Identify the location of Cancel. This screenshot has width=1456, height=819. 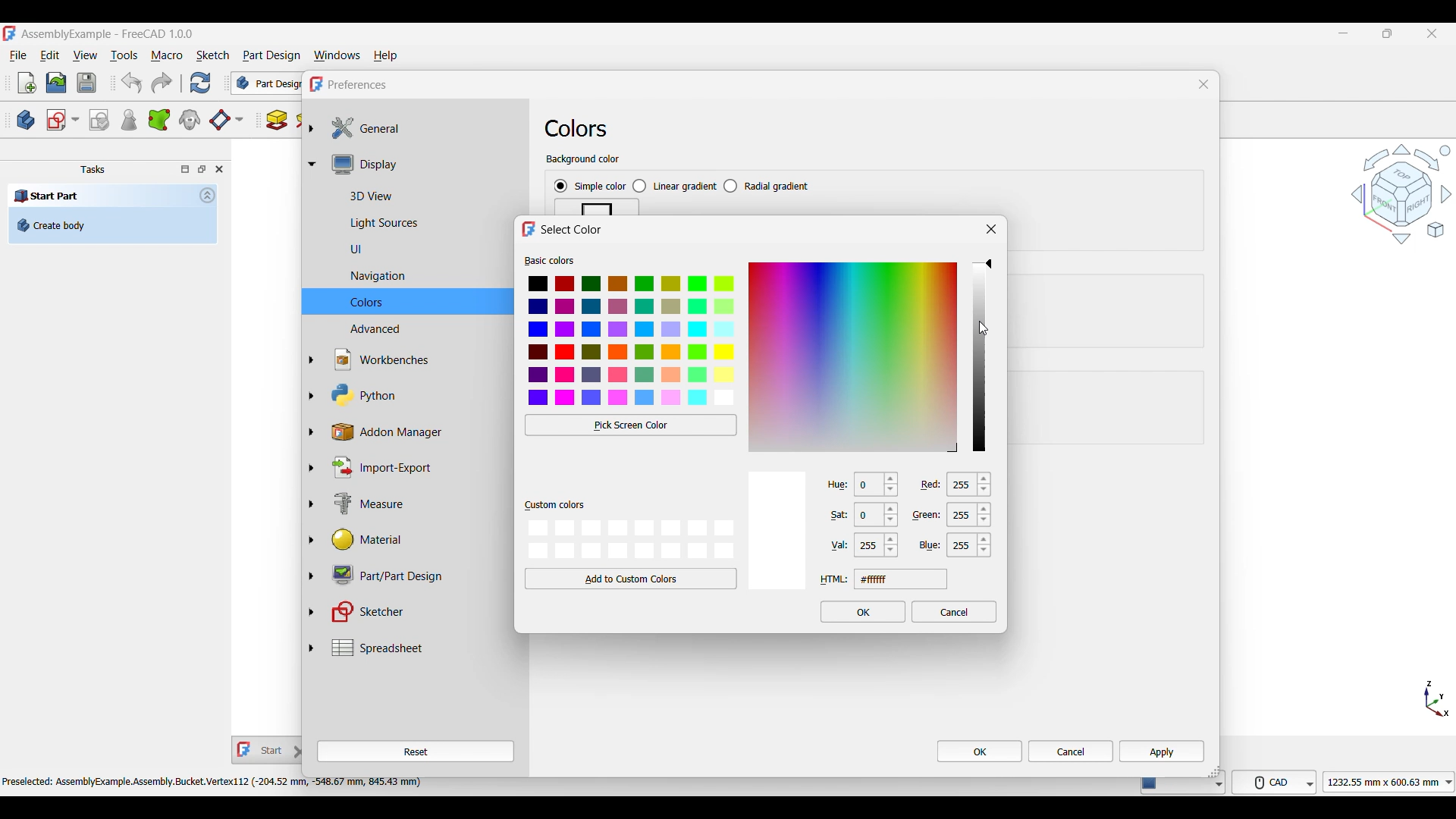
(1071, 752).